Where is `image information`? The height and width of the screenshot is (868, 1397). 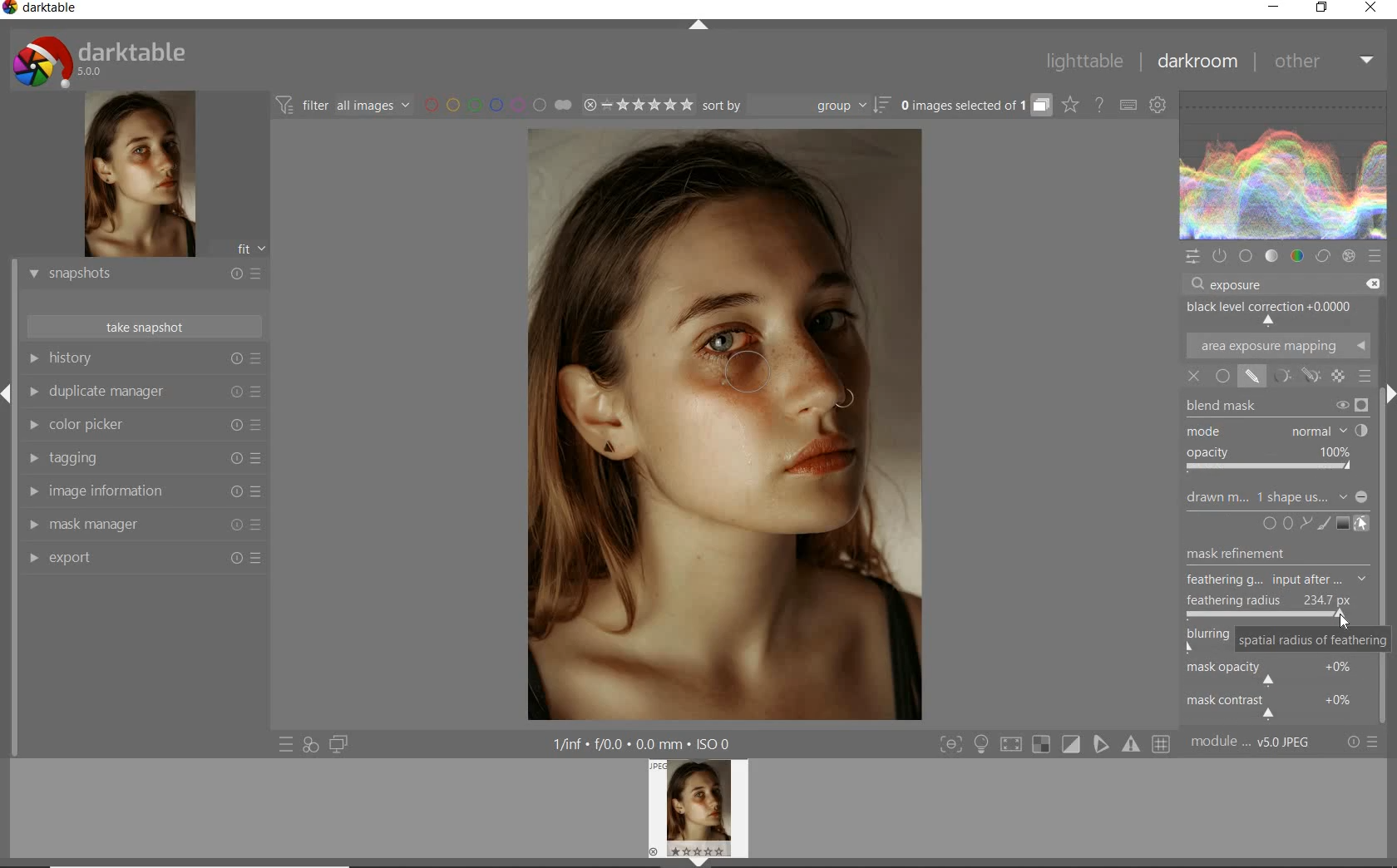 image information is located at coordinates (144, 491).